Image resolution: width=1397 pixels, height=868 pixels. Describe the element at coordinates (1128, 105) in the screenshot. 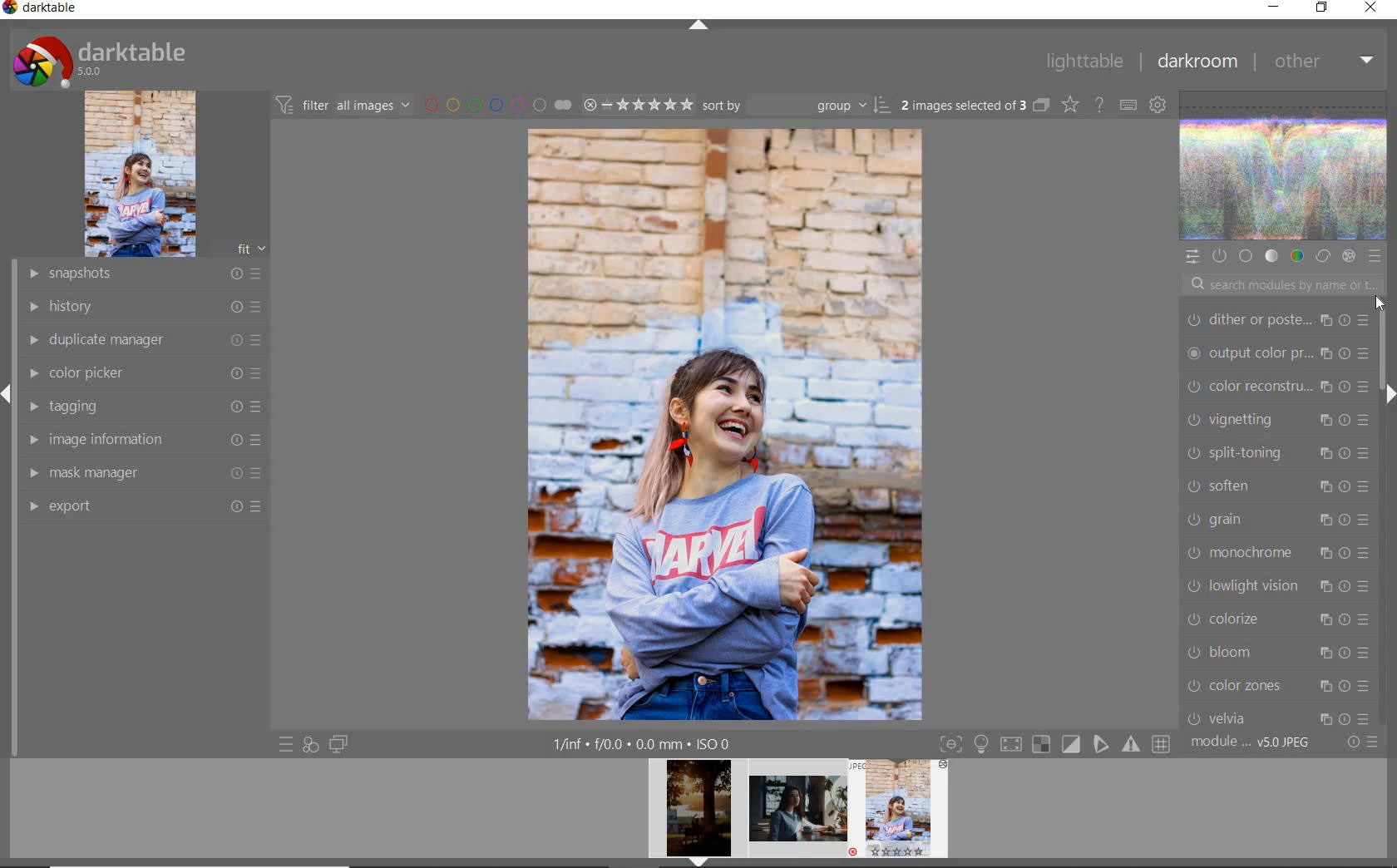

I see `DEFINE KEYBOARD SHORTCUTS` at that location.